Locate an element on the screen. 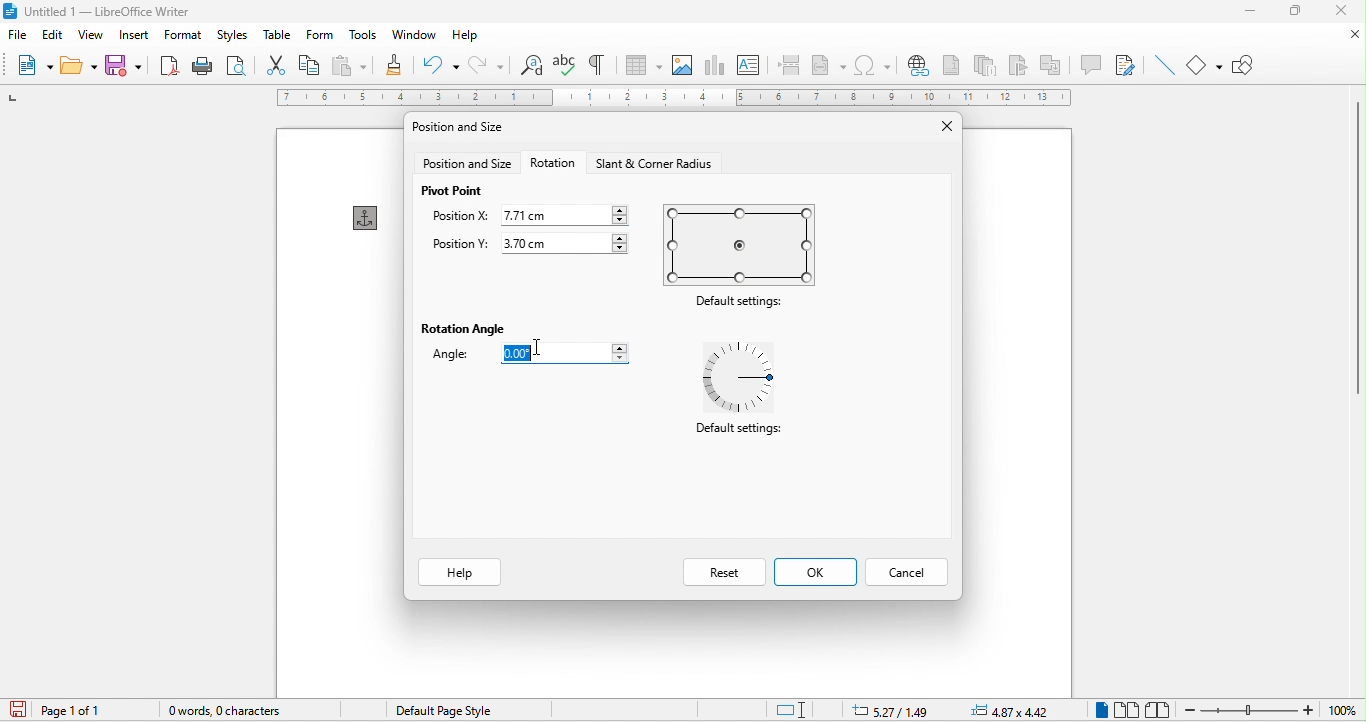  window is located at coordinates (415, 35).